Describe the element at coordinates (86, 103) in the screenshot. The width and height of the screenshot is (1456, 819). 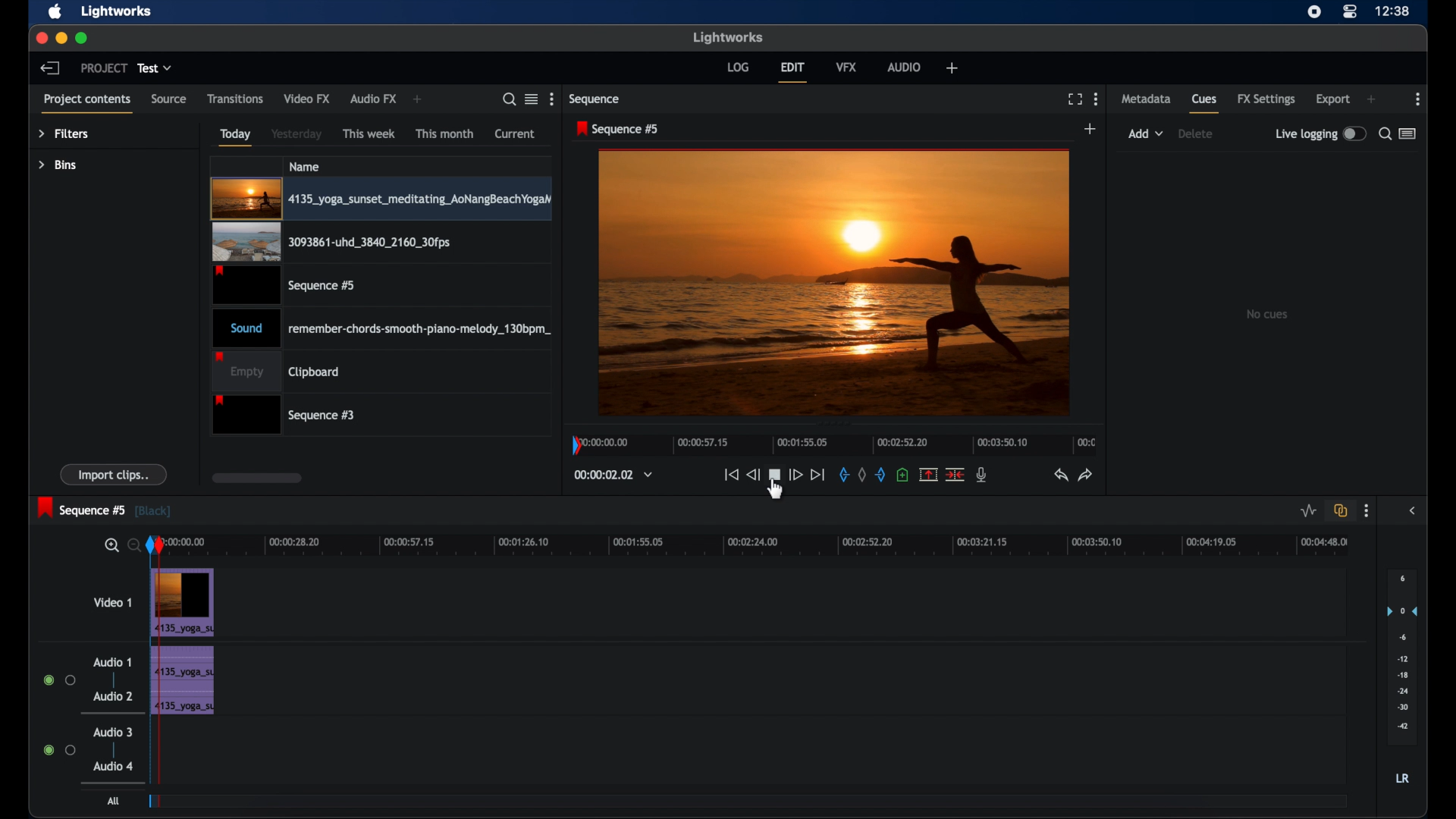
I see `project contents` at that location.